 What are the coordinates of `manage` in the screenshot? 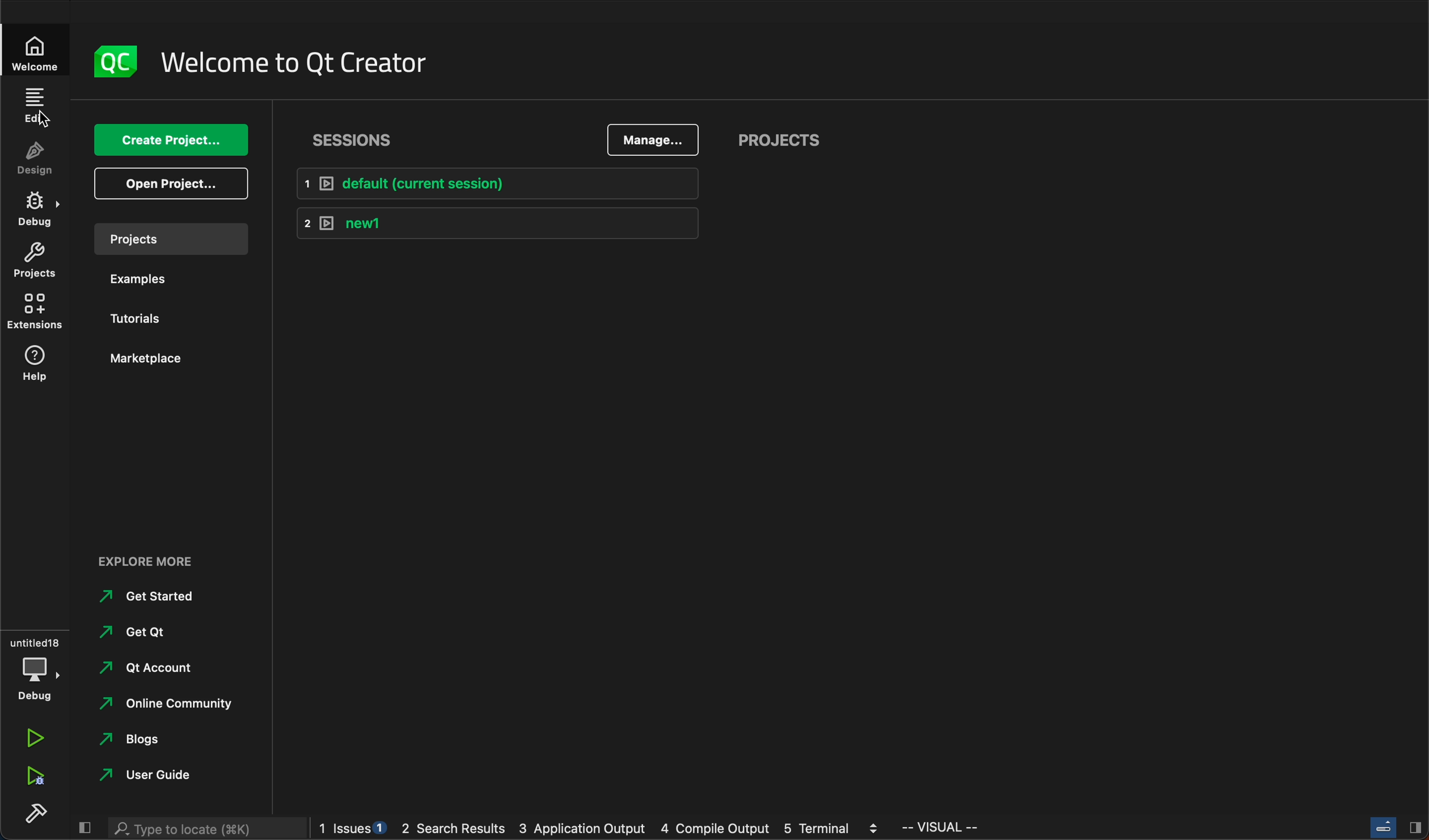 It's located at (656, 138).